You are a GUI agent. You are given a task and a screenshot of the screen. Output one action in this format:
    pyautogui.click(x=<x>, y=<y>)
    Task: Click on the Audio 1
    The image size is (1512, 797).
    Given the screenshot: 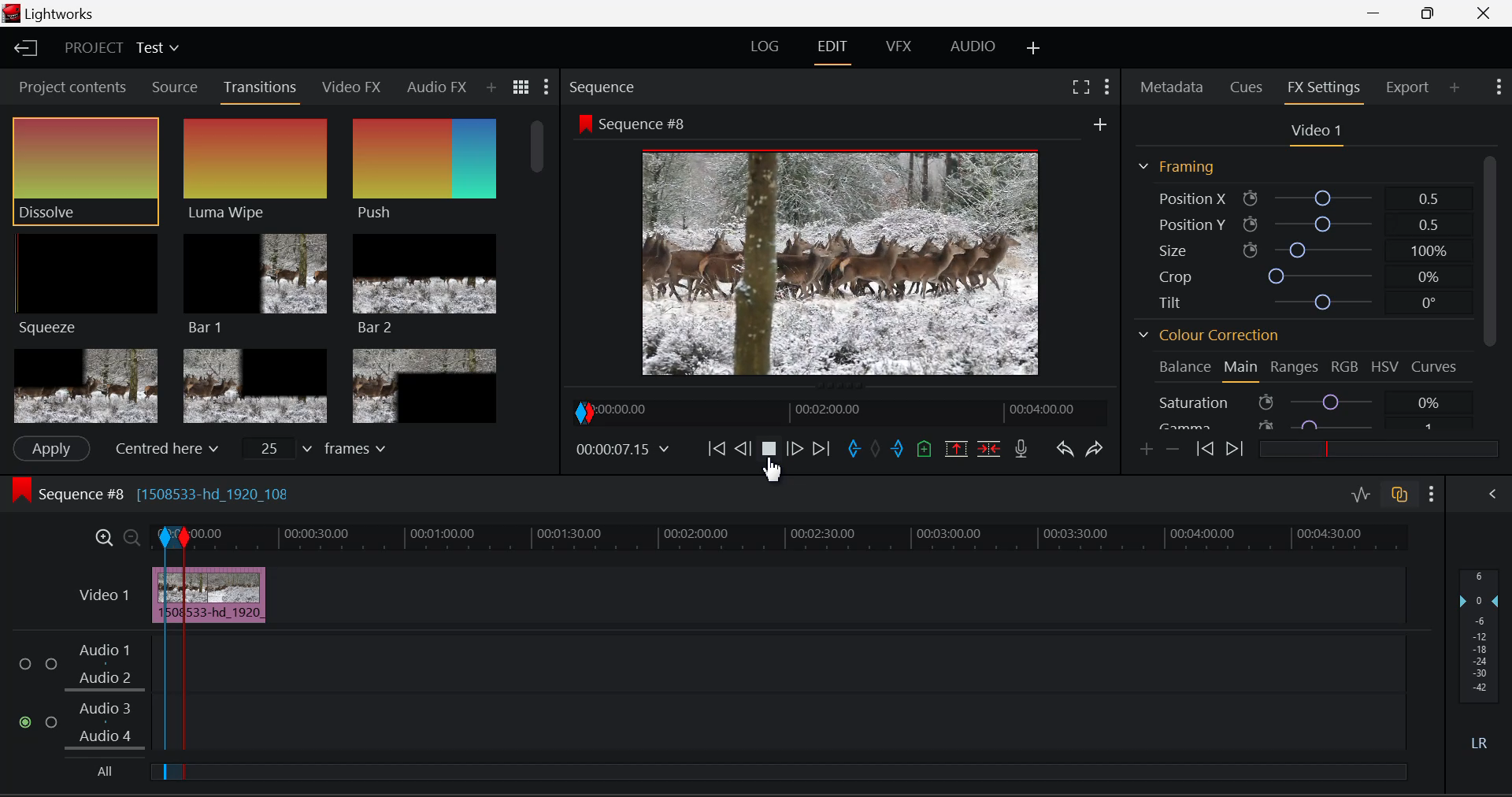 What is the action you would take?
    pyautogui.click(x=106, y=651)
    